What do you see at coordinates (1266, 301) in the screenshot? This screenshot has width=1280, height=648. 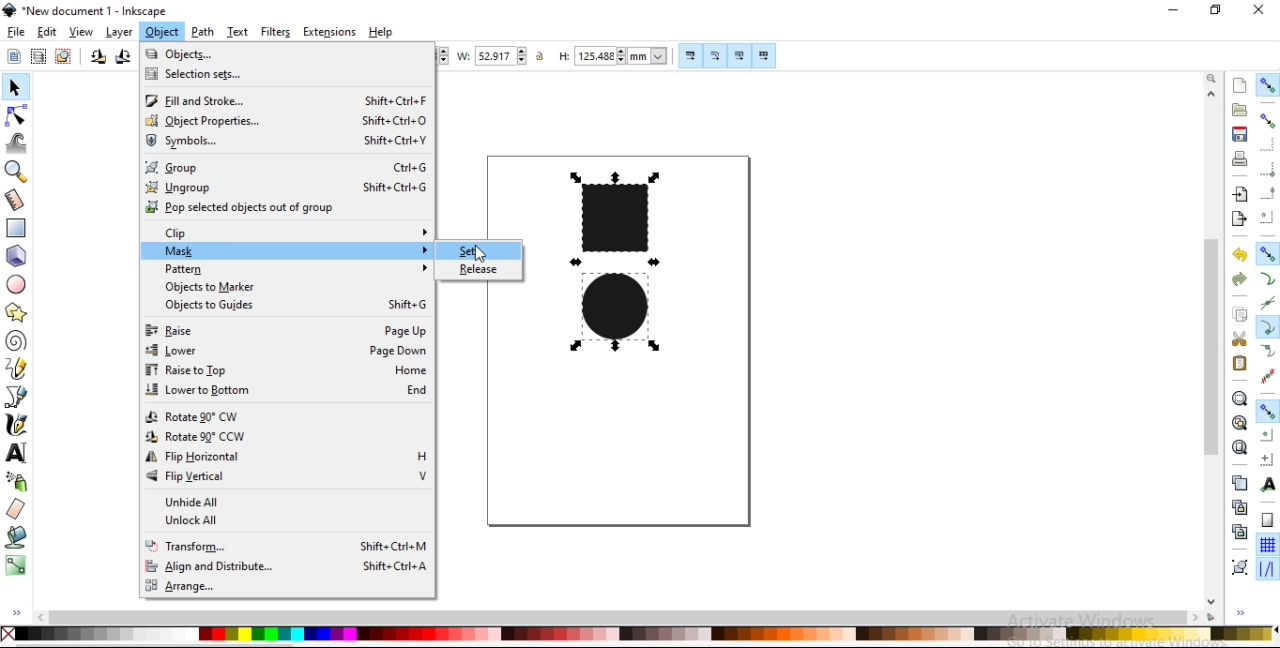 I see `snap to path intersections` at bounding box center [1266, 301].